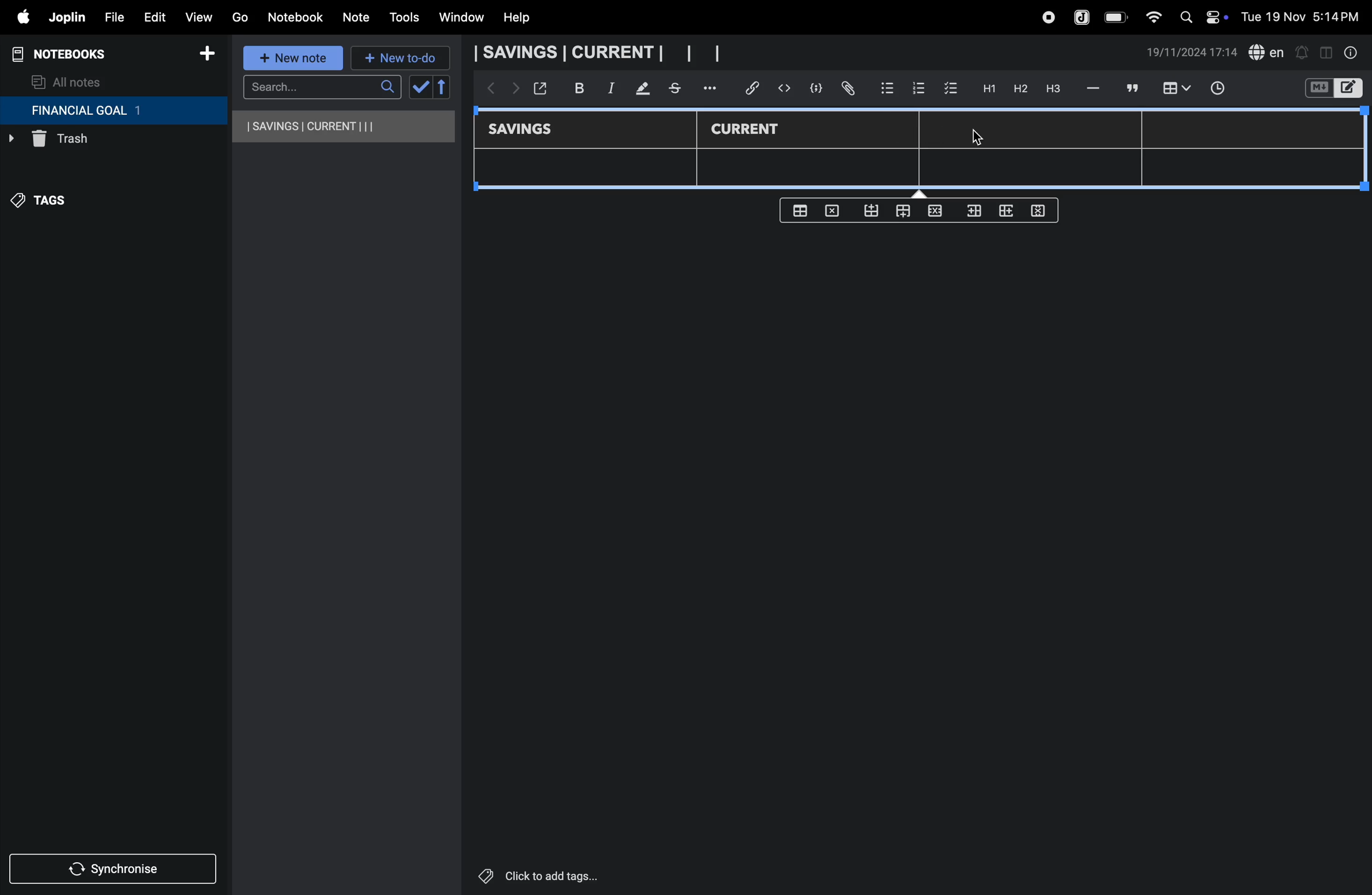 The height and width of the screenshot is (895, 1372). I want to click on attach file, so click(847, 89).